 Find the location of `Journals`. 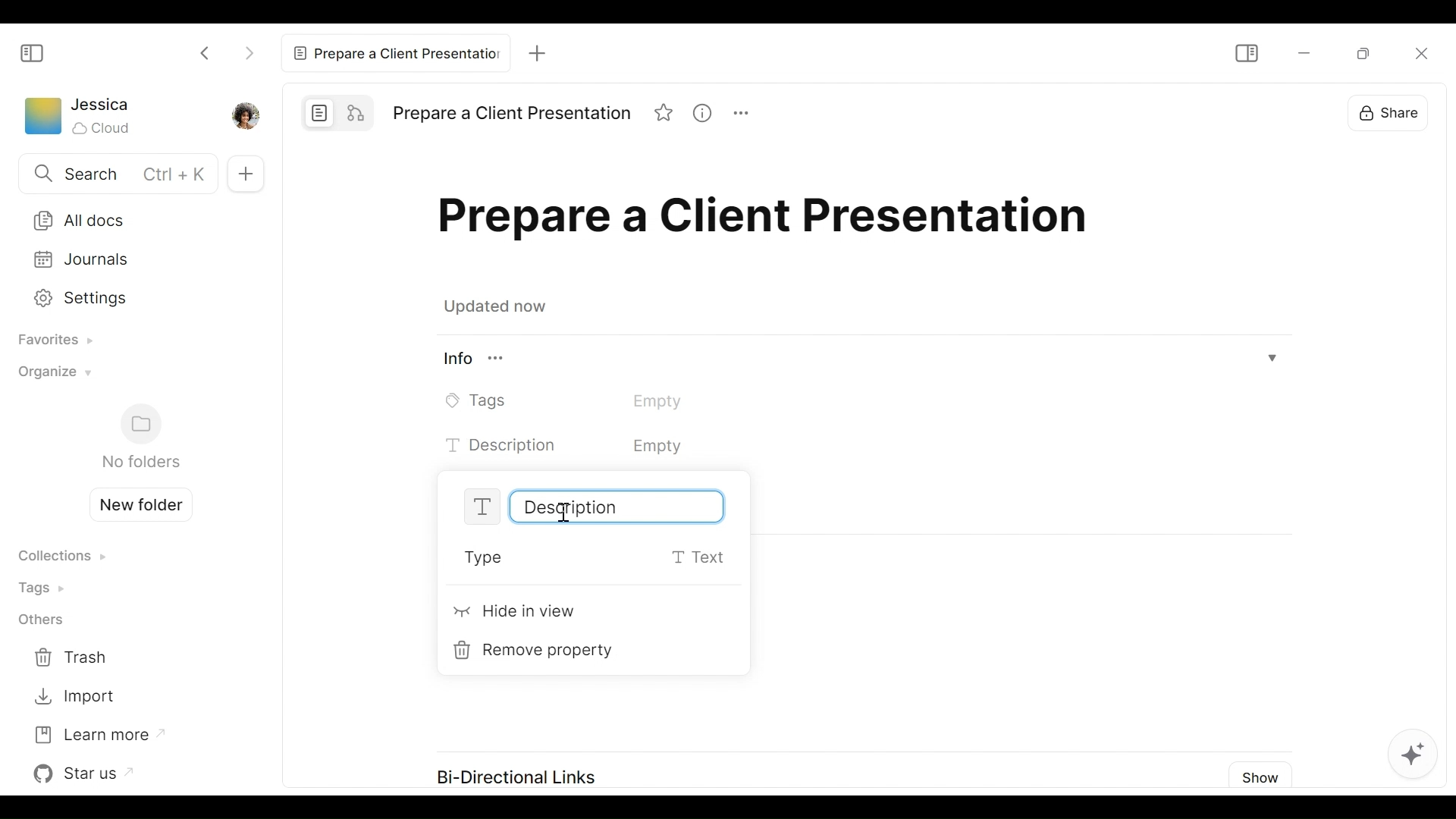

Journals is located at coordinates (130, 259).